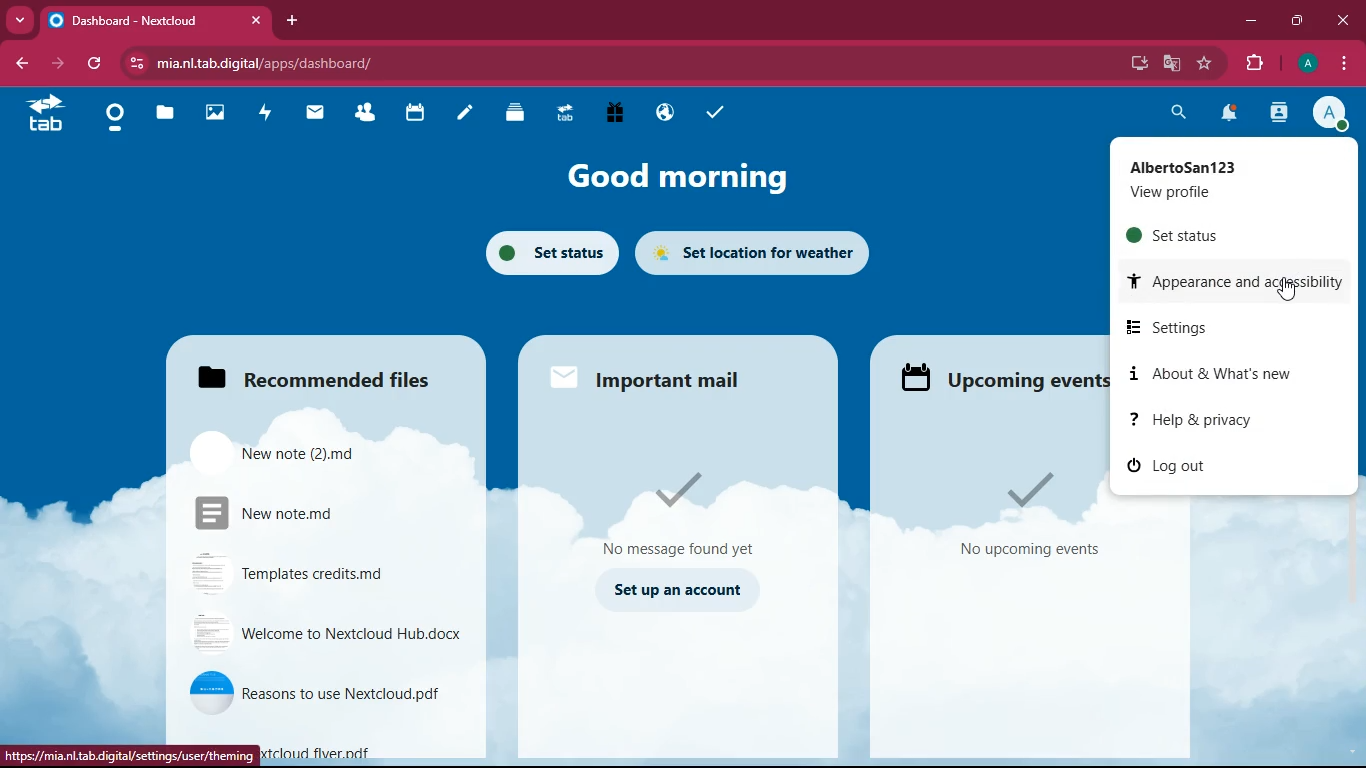 The image size is (1366, 768). Describe the element at coordinates (283, 64) in the screenshot. I see `url` at that location.